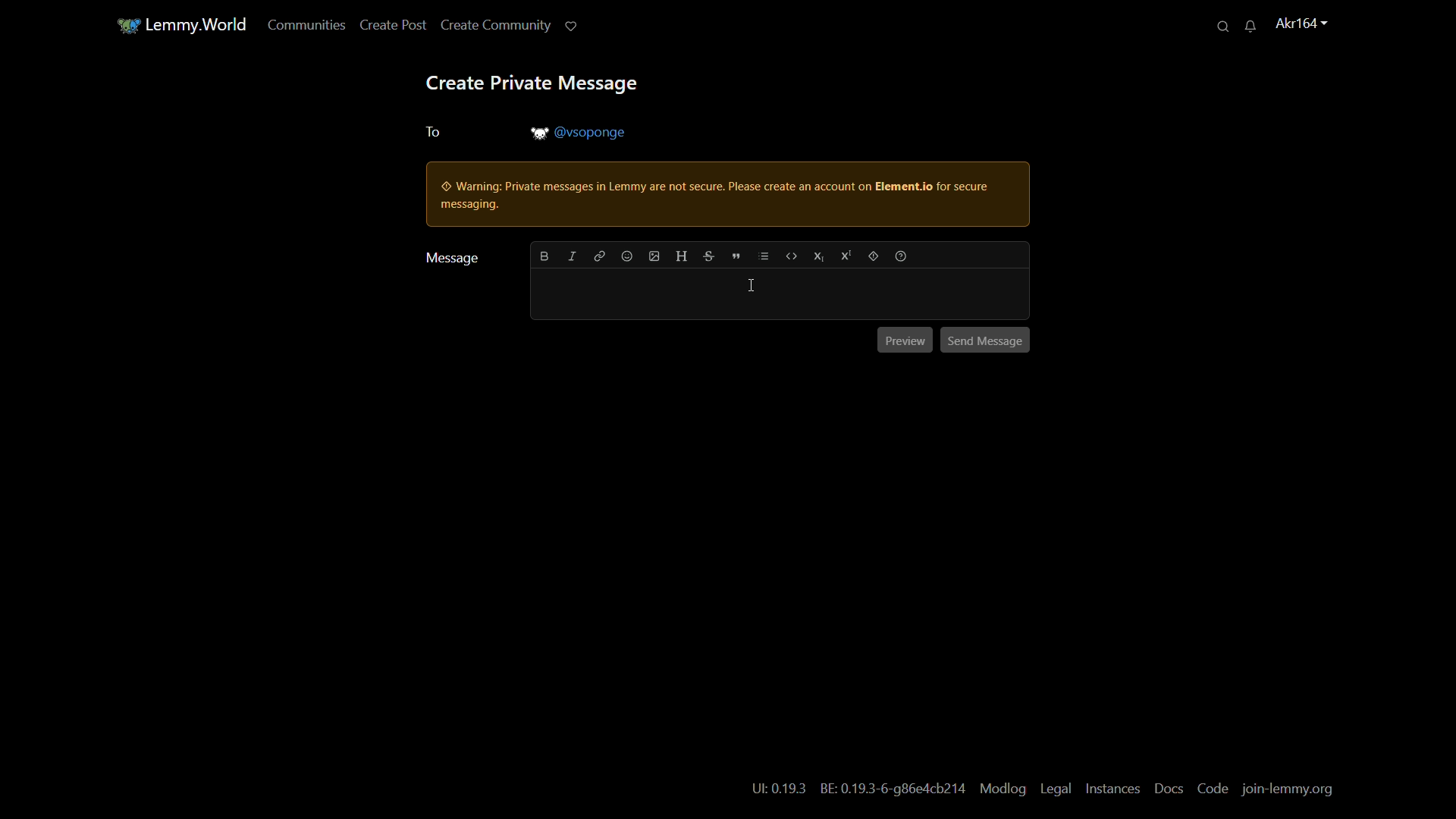 This screenshot has height=819, width=1456. I want to click on header, so click(682, 256).